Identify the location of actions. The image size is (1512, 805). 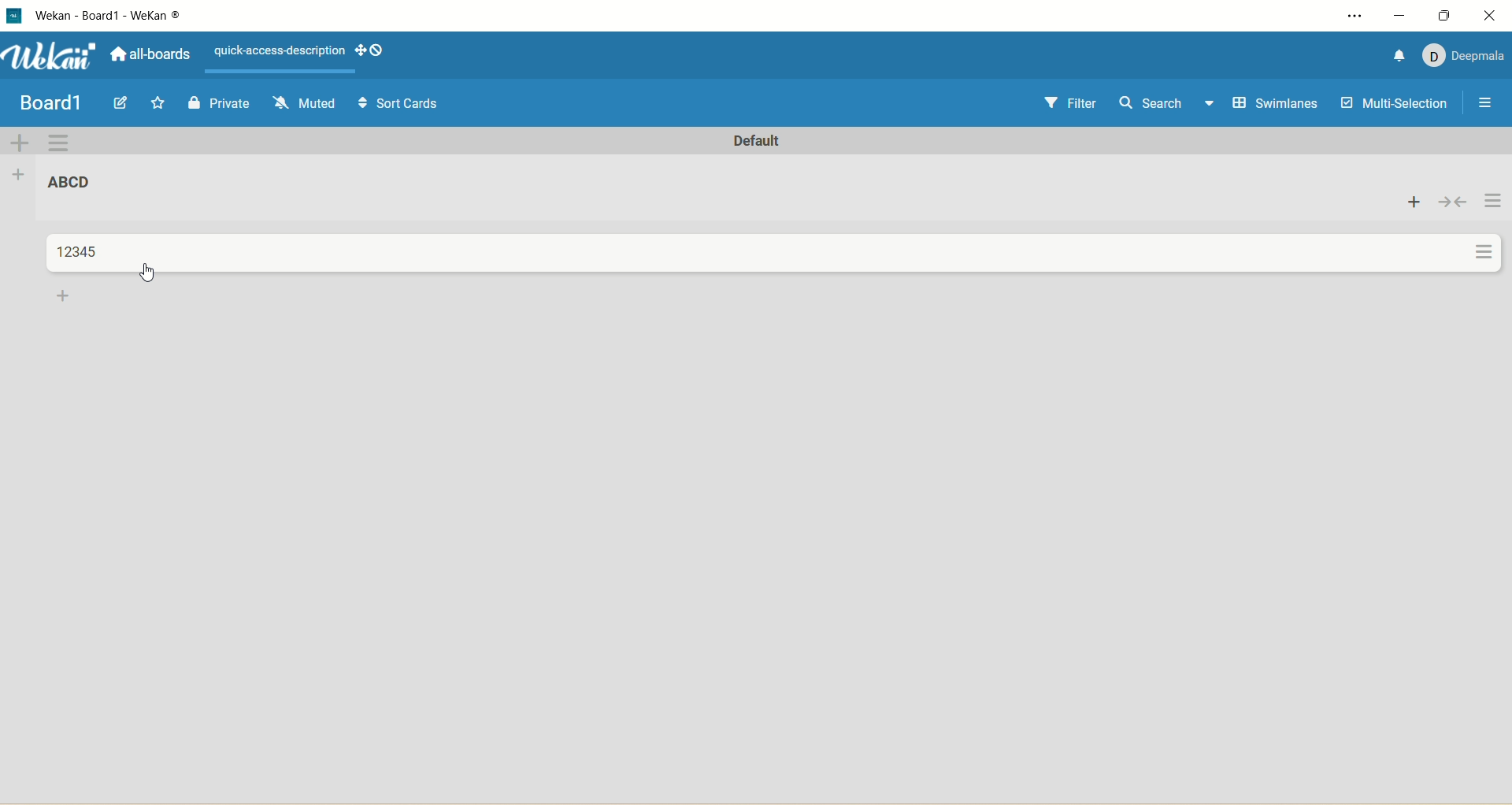
(1488, 239).